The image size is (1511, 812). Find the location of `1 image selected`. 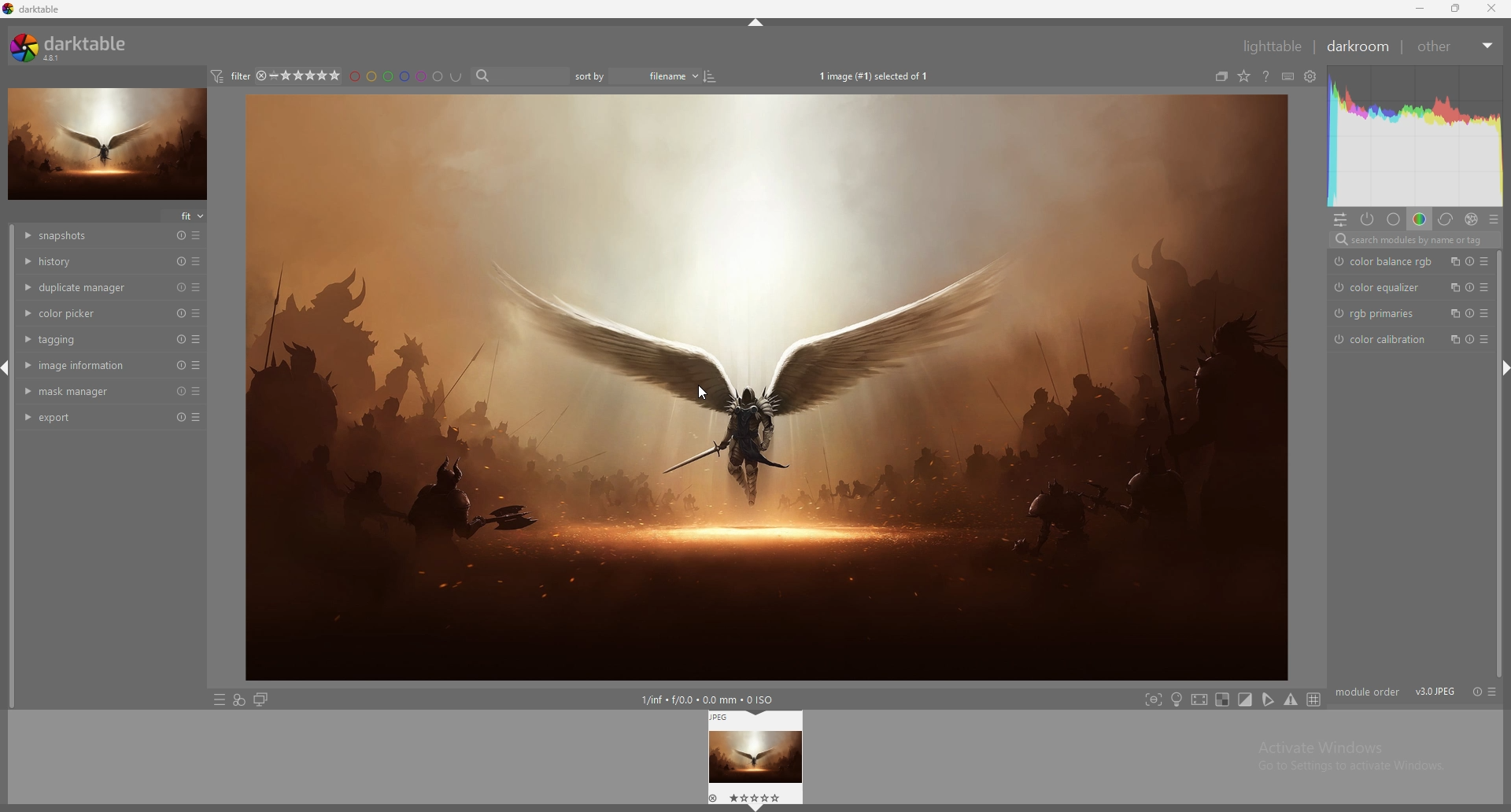

1 image selected is located at coordinates (872, 76).